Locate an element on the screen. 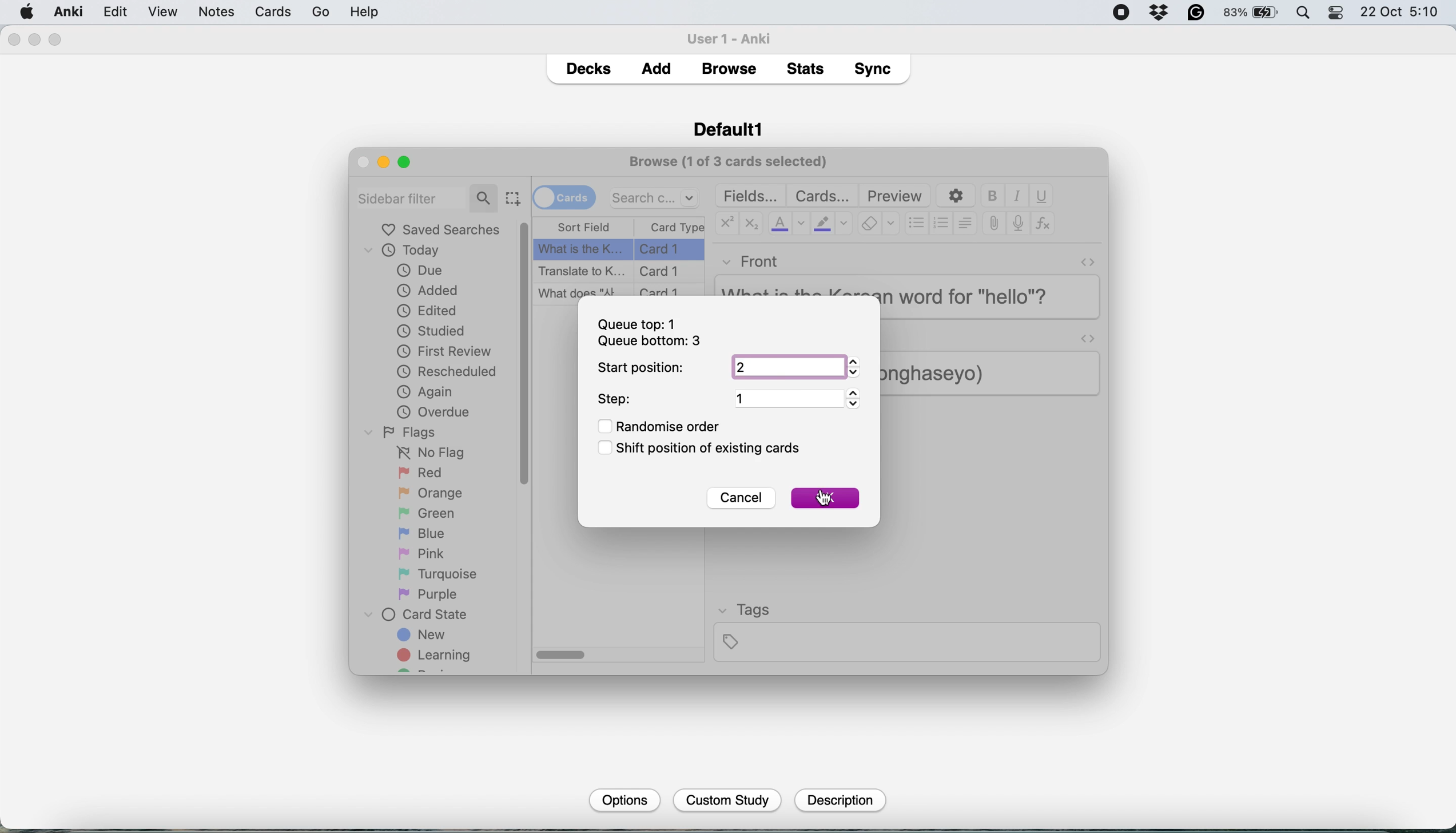 The width and height of the screenshot is (1456, 833). new is located at coordinates (423, 636).